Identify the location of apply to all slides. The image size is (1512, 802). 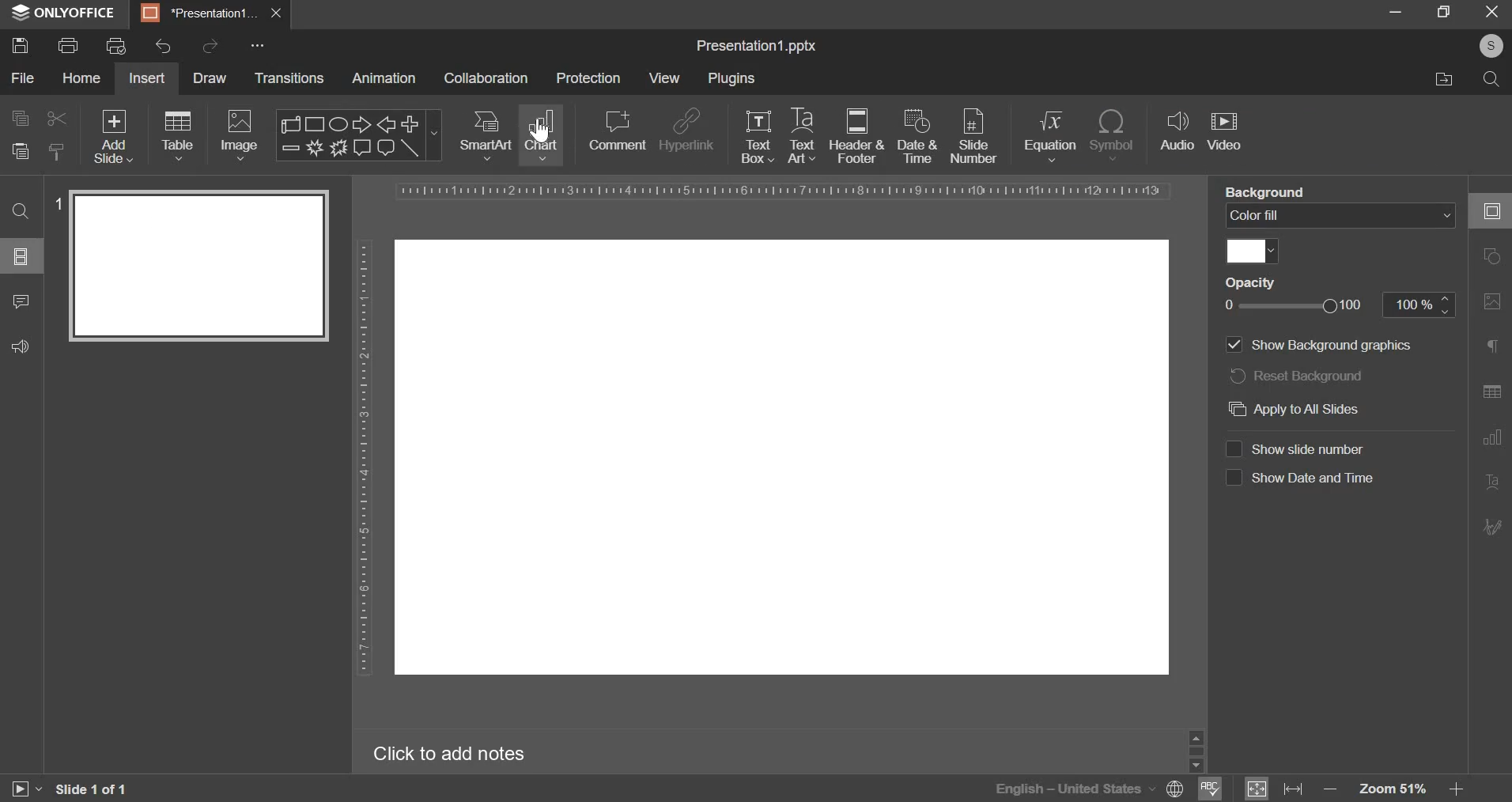
(1297, 408).